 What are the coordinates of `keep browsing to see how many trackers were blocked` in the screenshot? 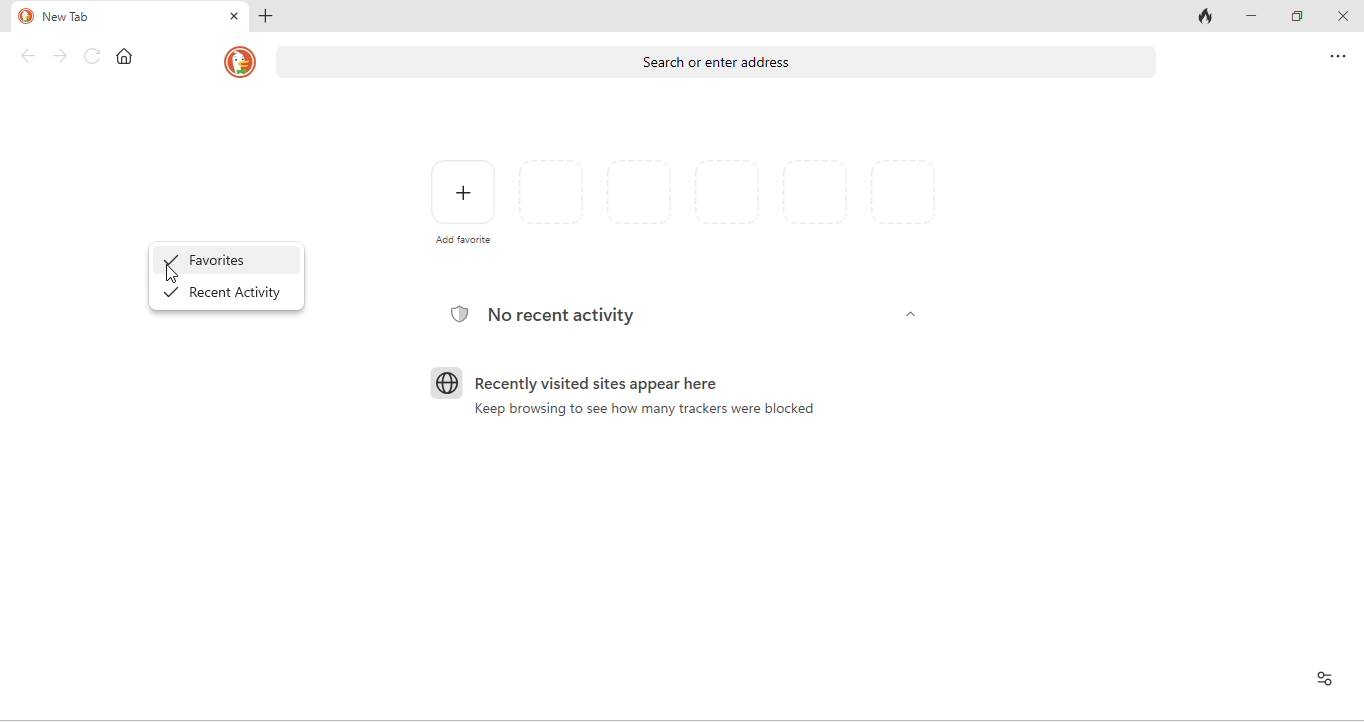 It's located at (651, 411).